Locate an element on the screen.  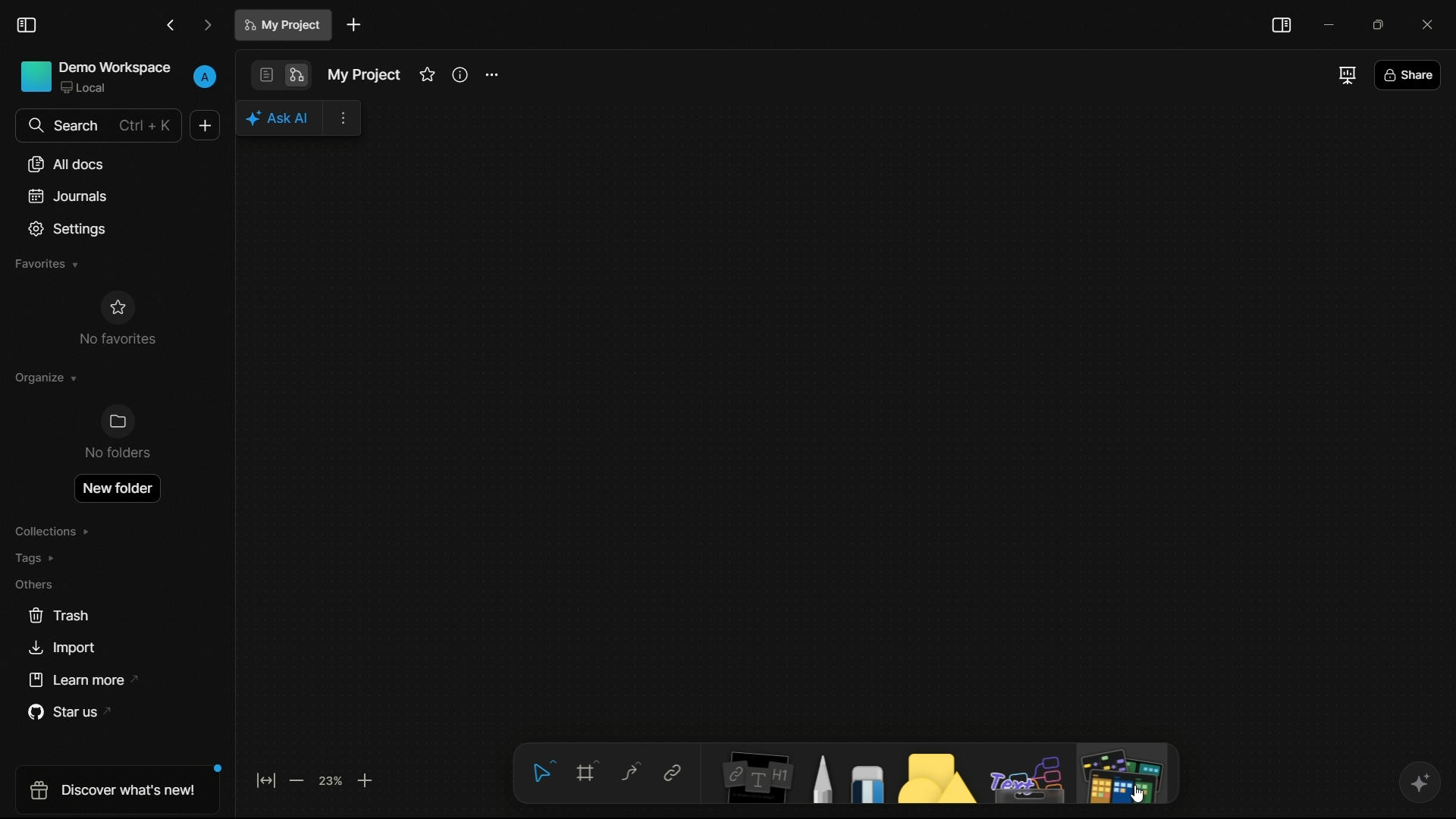
edgeless mode is located at coordinates (295, 76).